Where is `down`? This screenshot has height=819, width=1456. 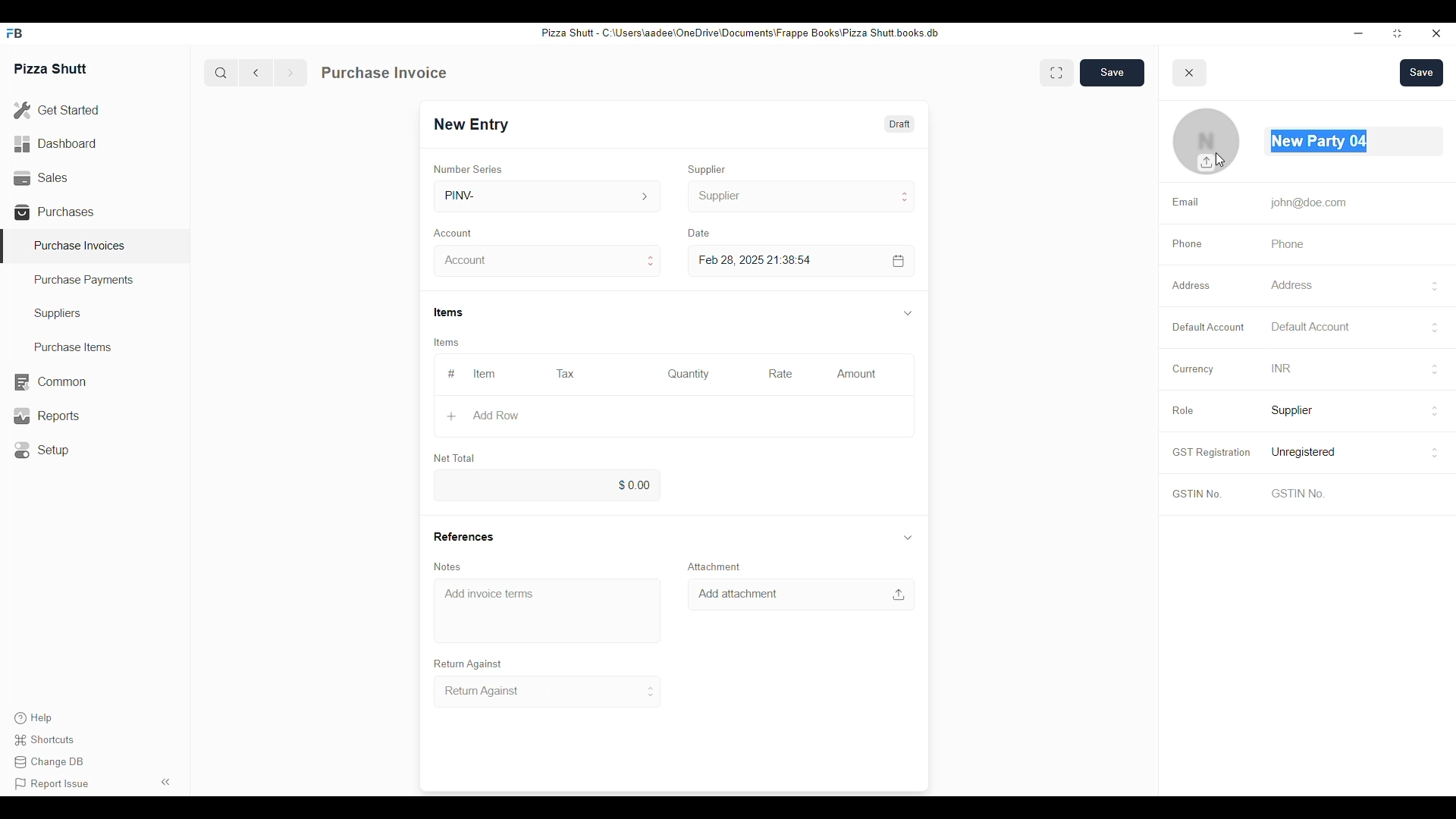
down is located at coordinates (907, 313).